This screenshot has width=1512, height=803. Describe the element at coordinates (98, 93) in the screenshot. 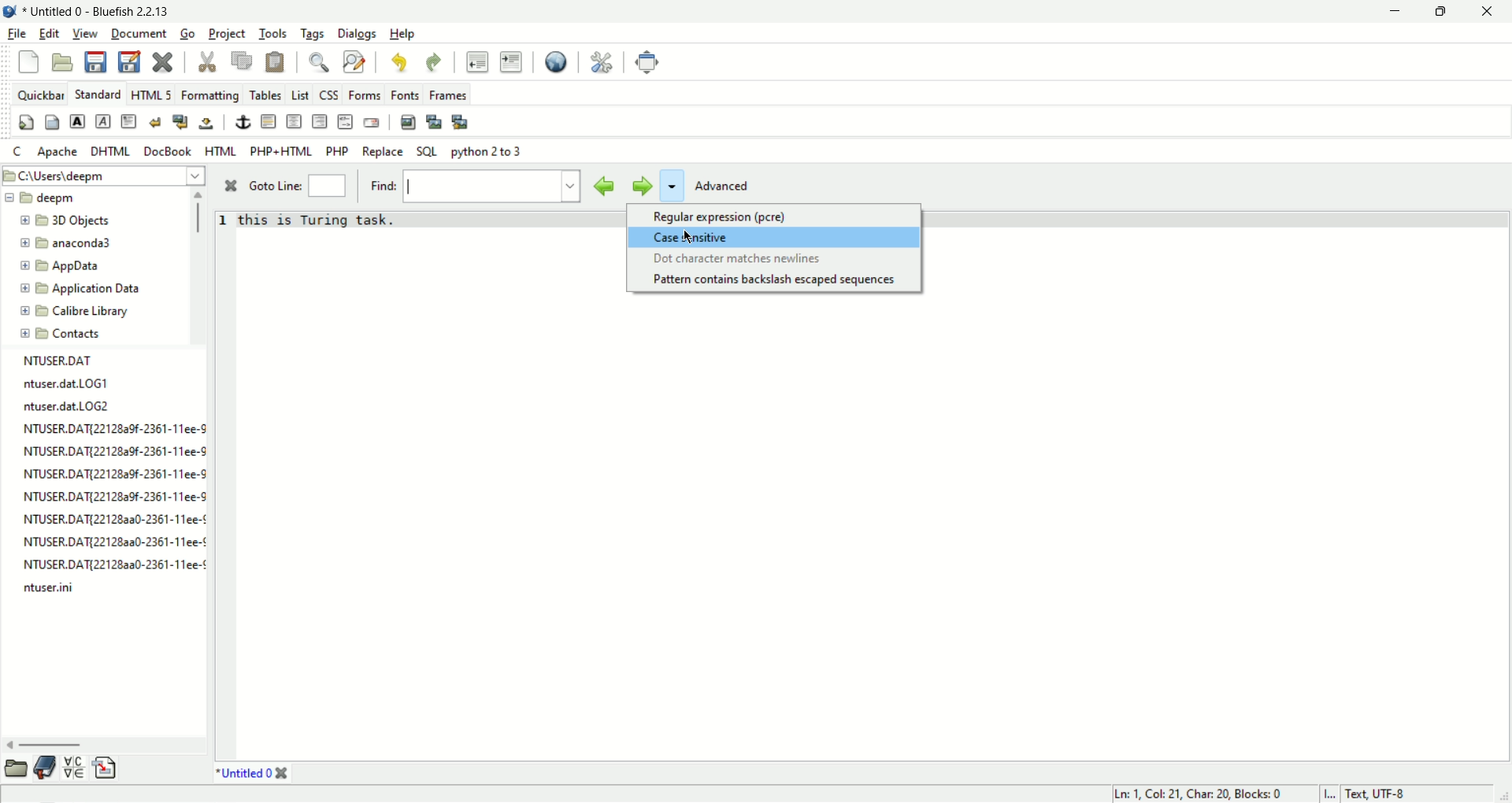

I see `standard` at that location.